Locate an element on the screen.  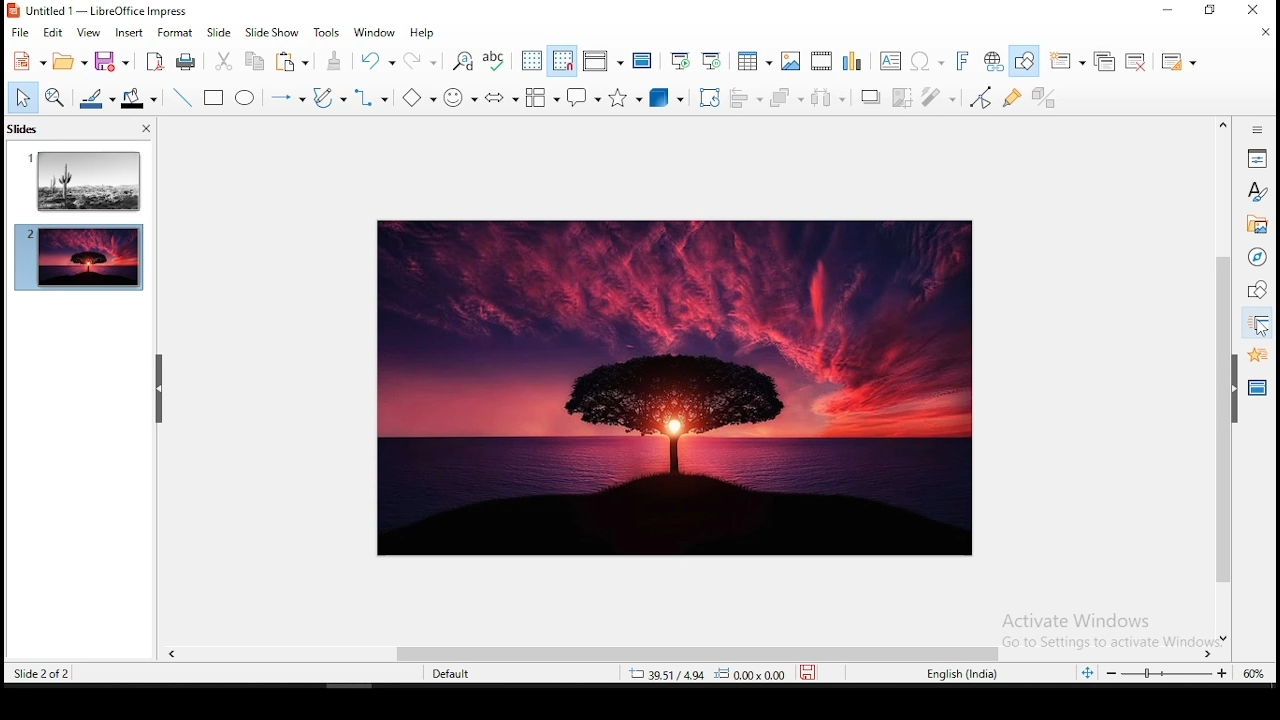
default is located at coordinates (455, 674).